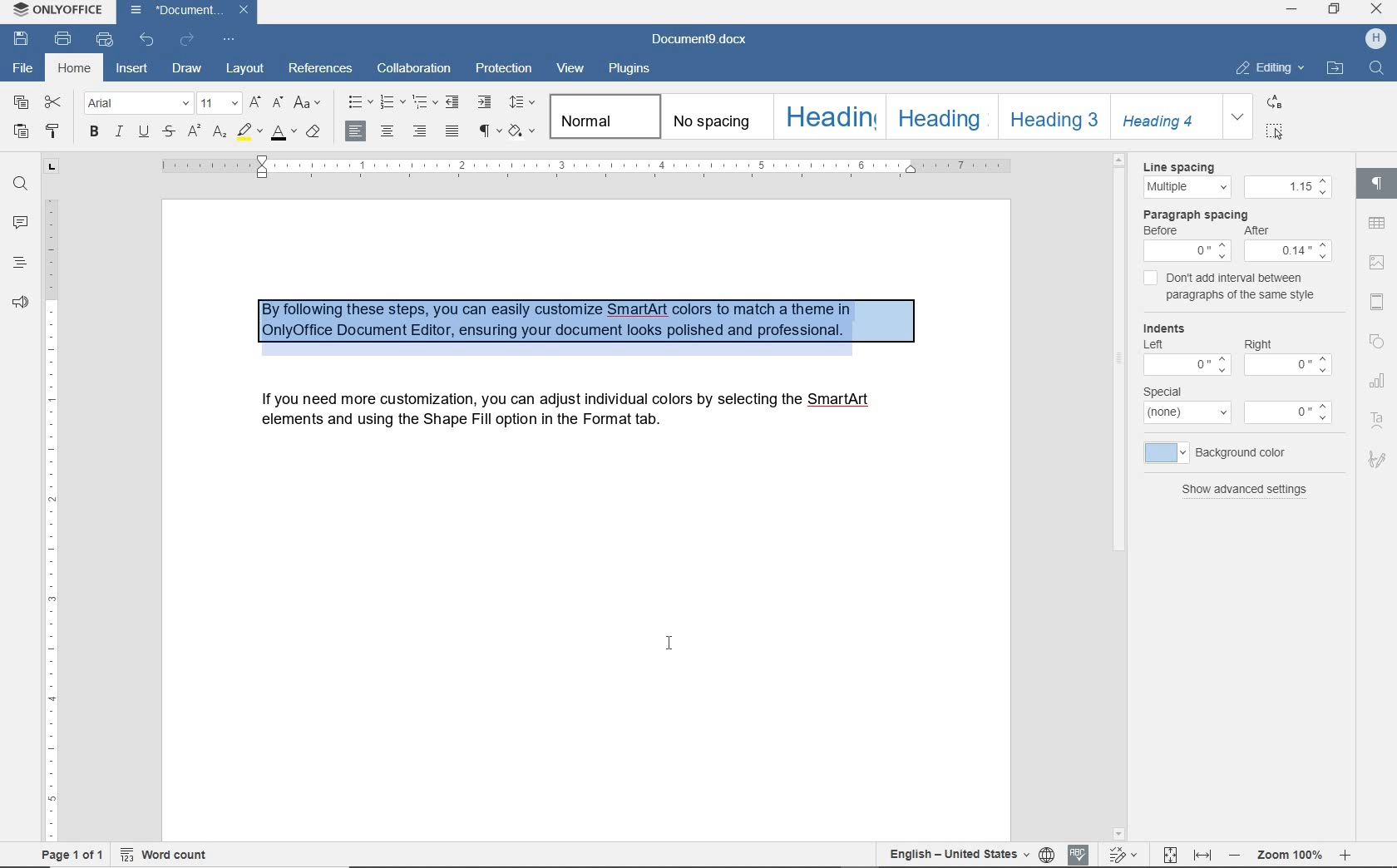 The image size is (1397, 868). What do you see at coordinates (1171, 328) in the screenshot?
I see `Indents` at bounding box center [1171, 328].